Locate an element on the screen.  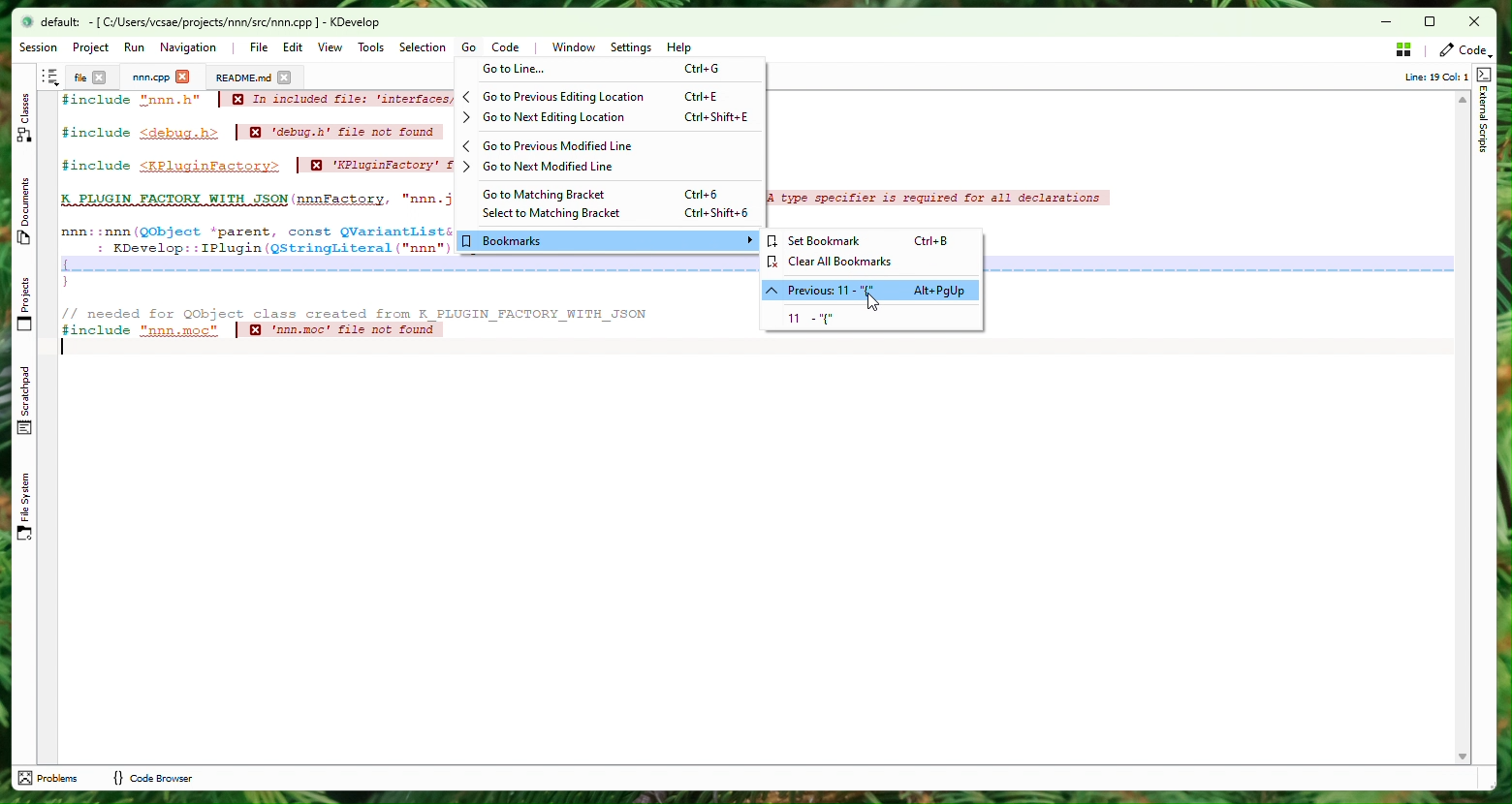
Go to previous modified line is located at coordinates (610, 146).